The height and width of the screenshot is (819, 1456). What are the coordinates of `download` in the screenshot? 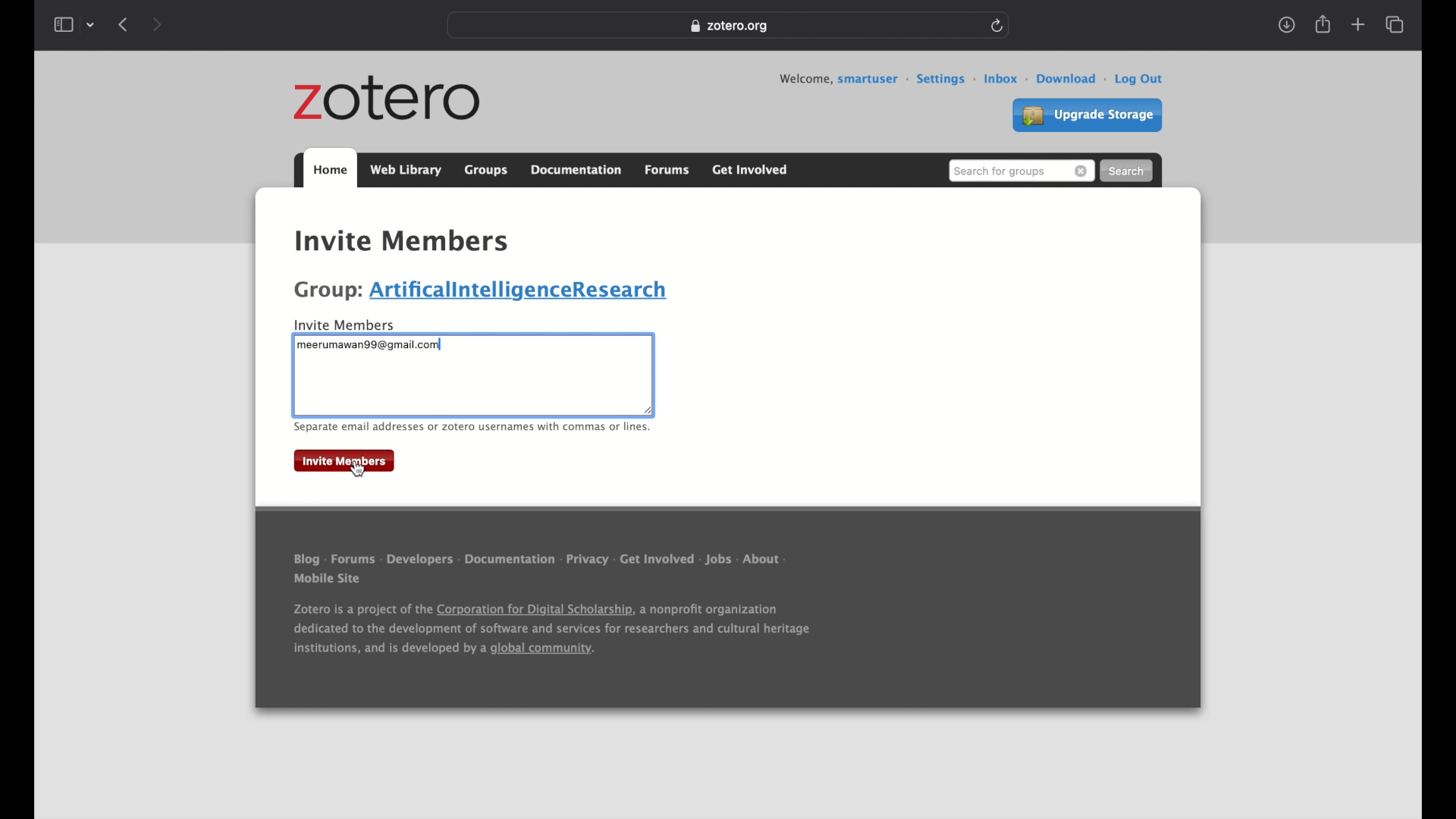 It's located at (1287, 26).